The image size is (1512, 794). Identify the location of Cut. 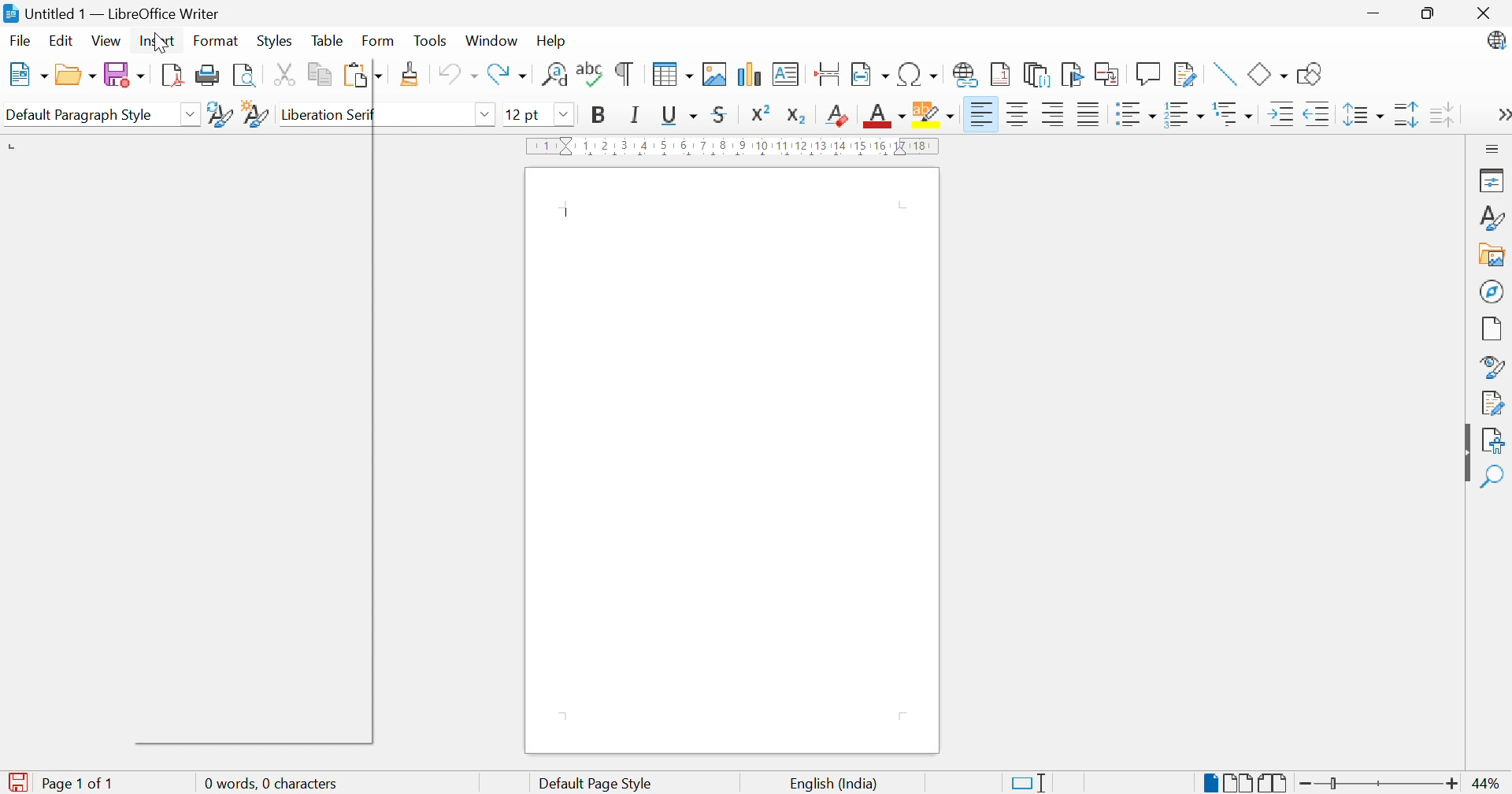
(287, 74).